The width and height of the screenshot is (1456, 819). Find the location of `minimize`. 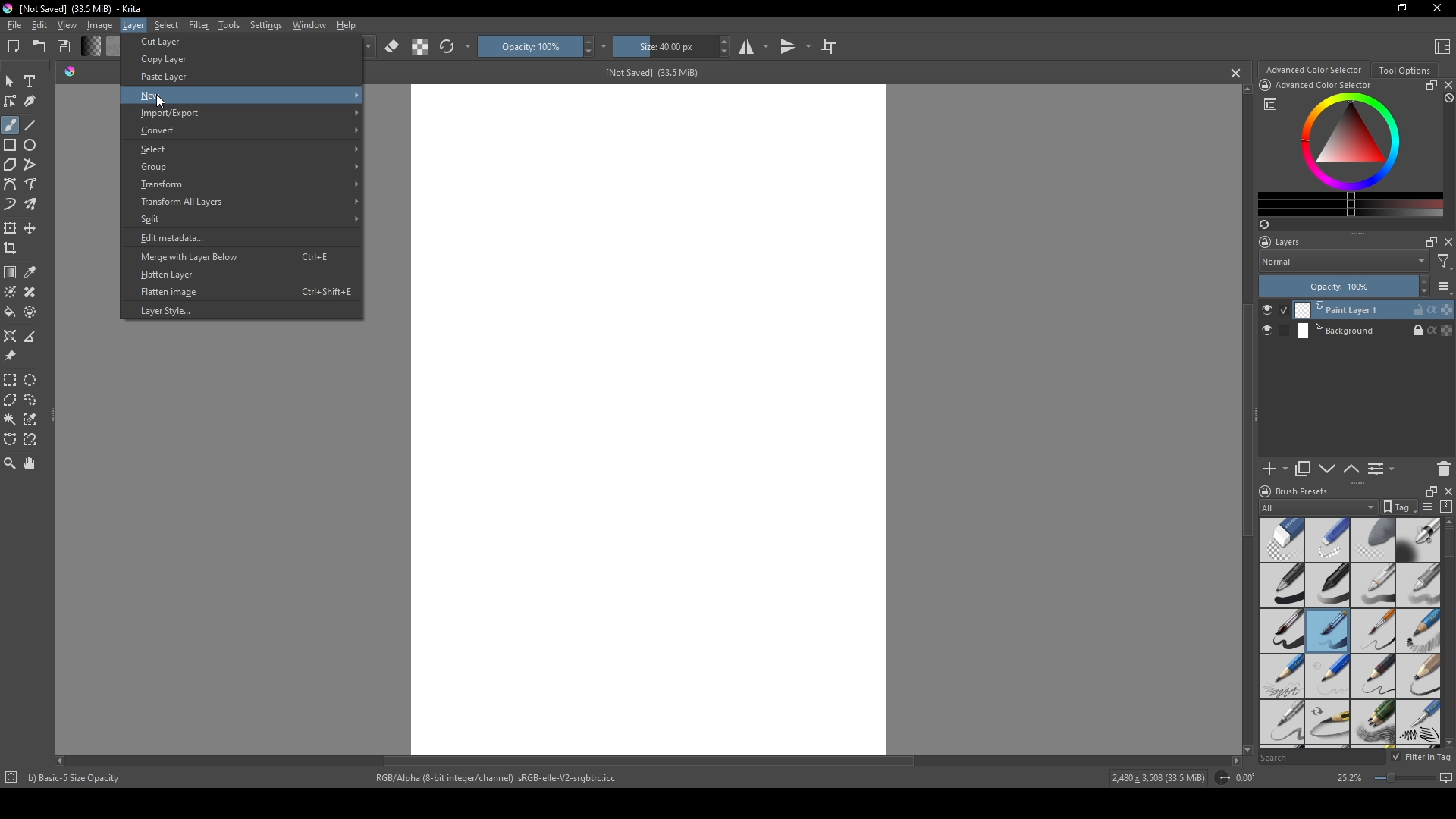

minimize is located at coordinates (1369, 8).